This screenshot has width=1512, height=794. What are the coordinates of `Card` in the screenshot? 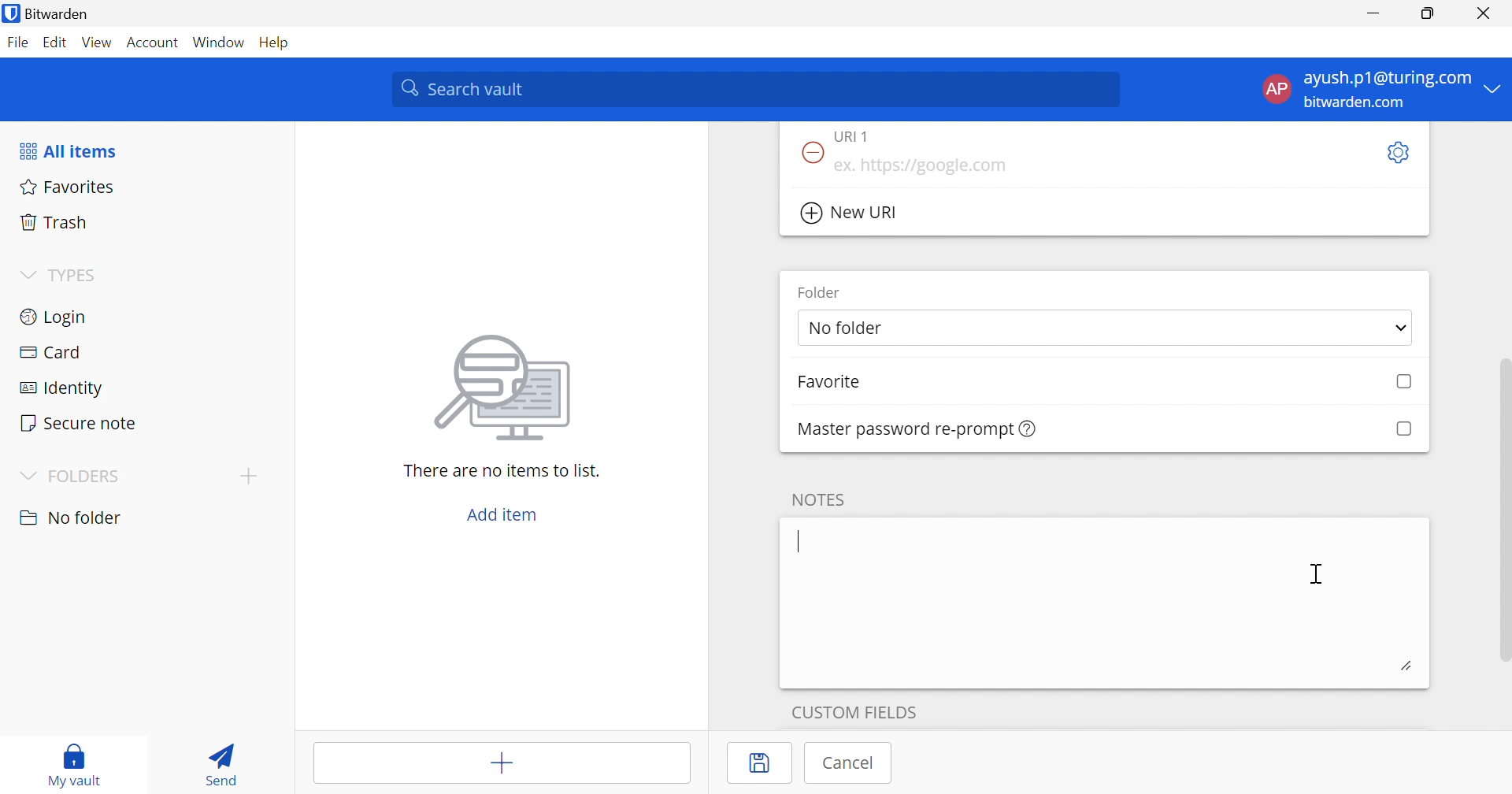 It's located at (50, 352).